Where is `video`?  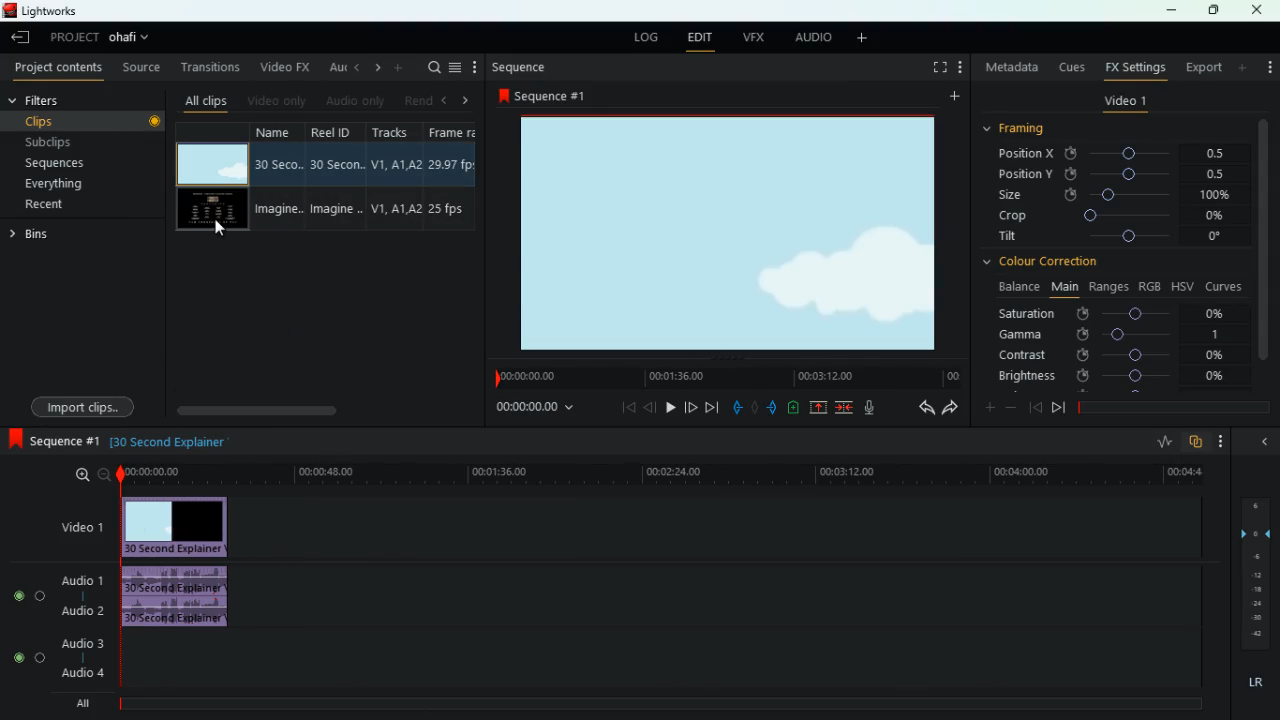 video is located at coordinates (211, 164).